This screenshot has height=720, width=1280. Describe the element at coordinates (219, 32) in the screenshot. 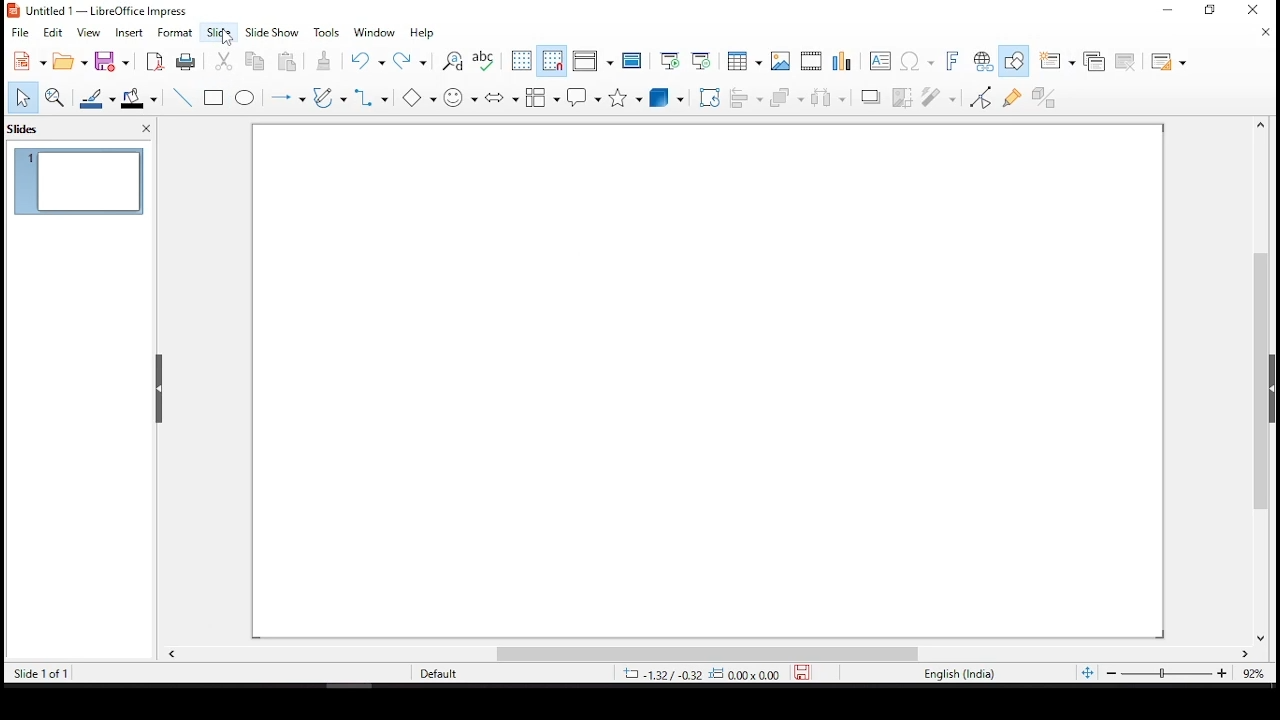

I see `slide` at that location.